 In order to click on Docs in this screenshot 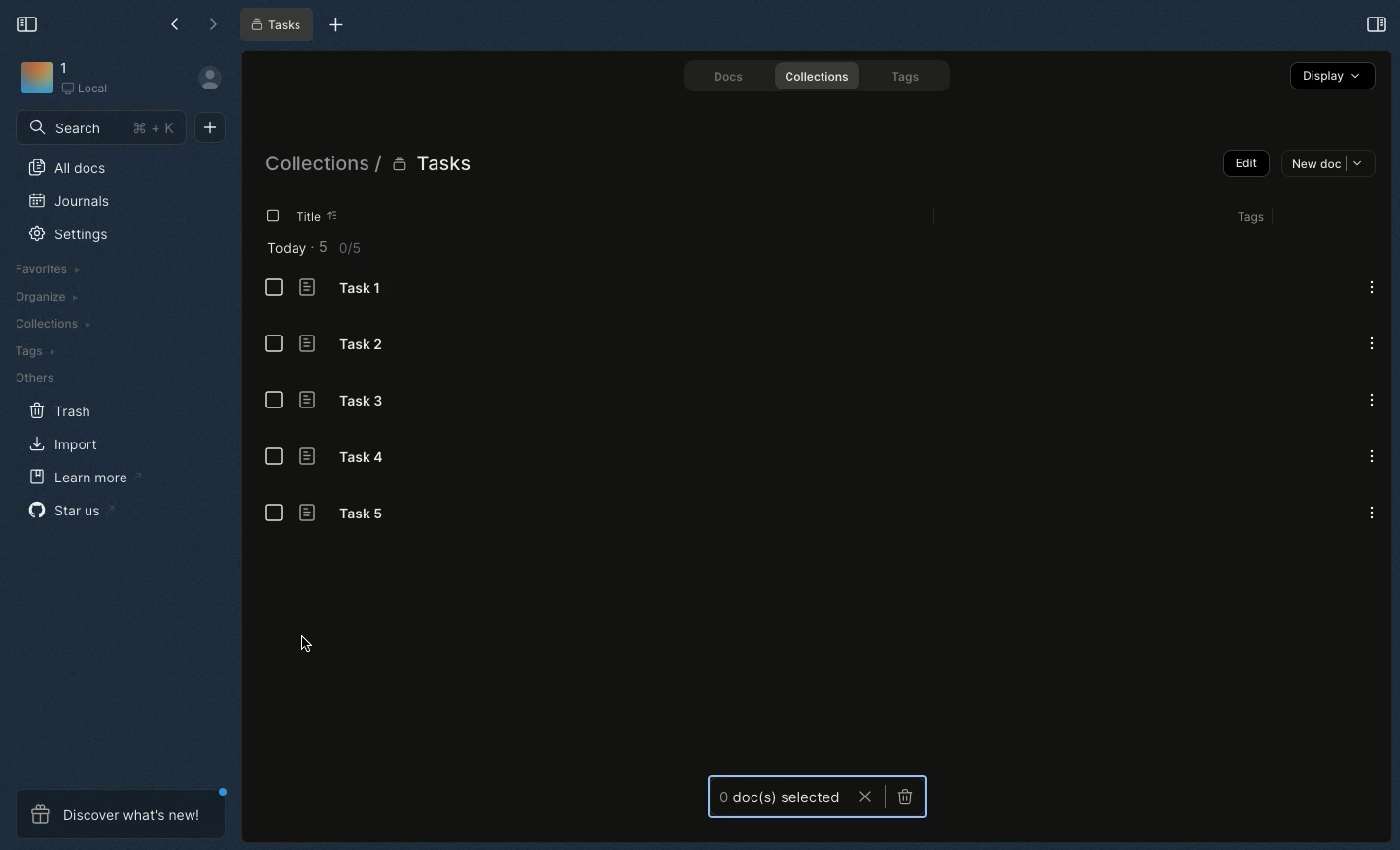, I will do `click(730, 75)`.